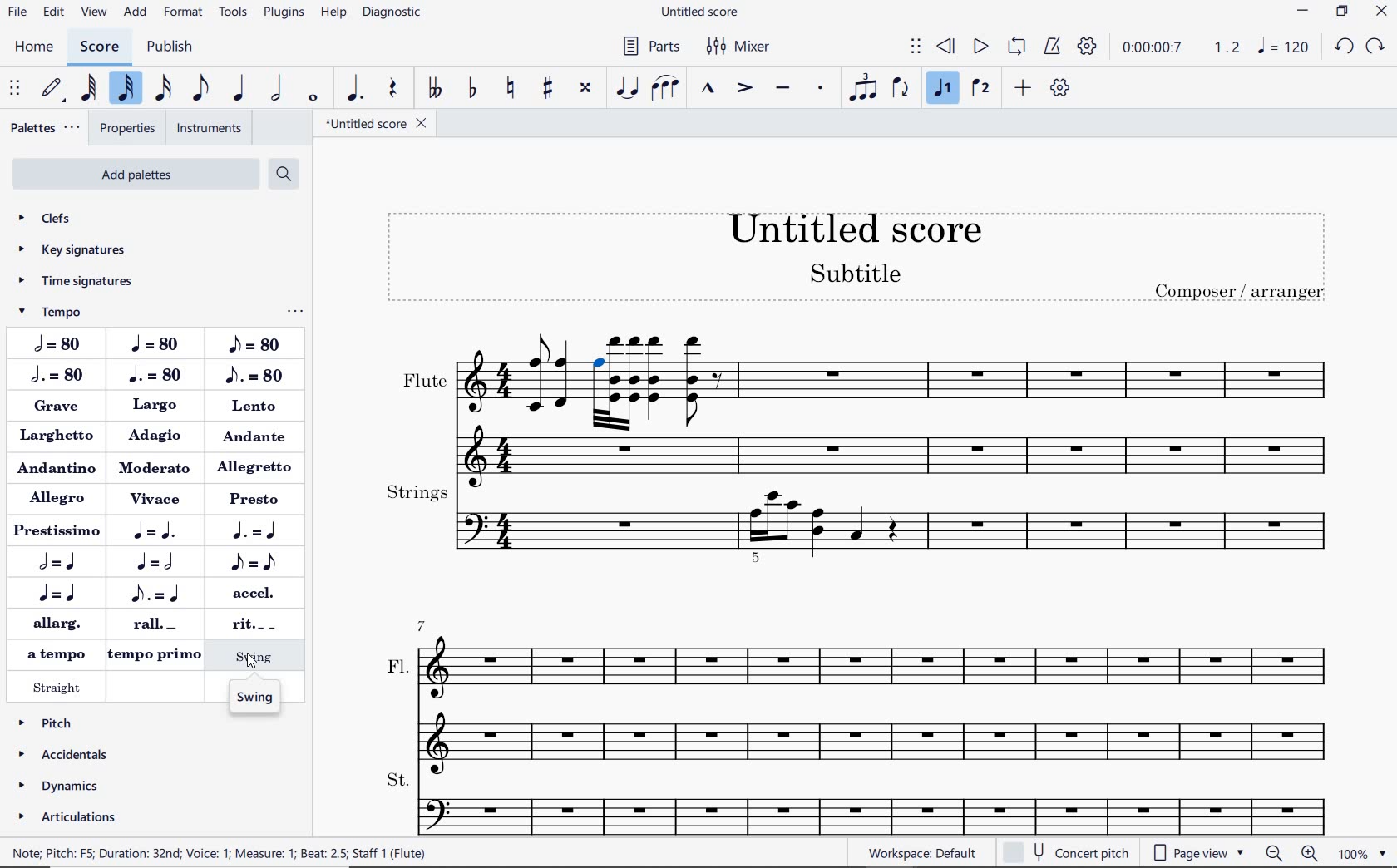 The width and height of the screenshot is (1397, 868). I want to click on REST, so click(392, 87).